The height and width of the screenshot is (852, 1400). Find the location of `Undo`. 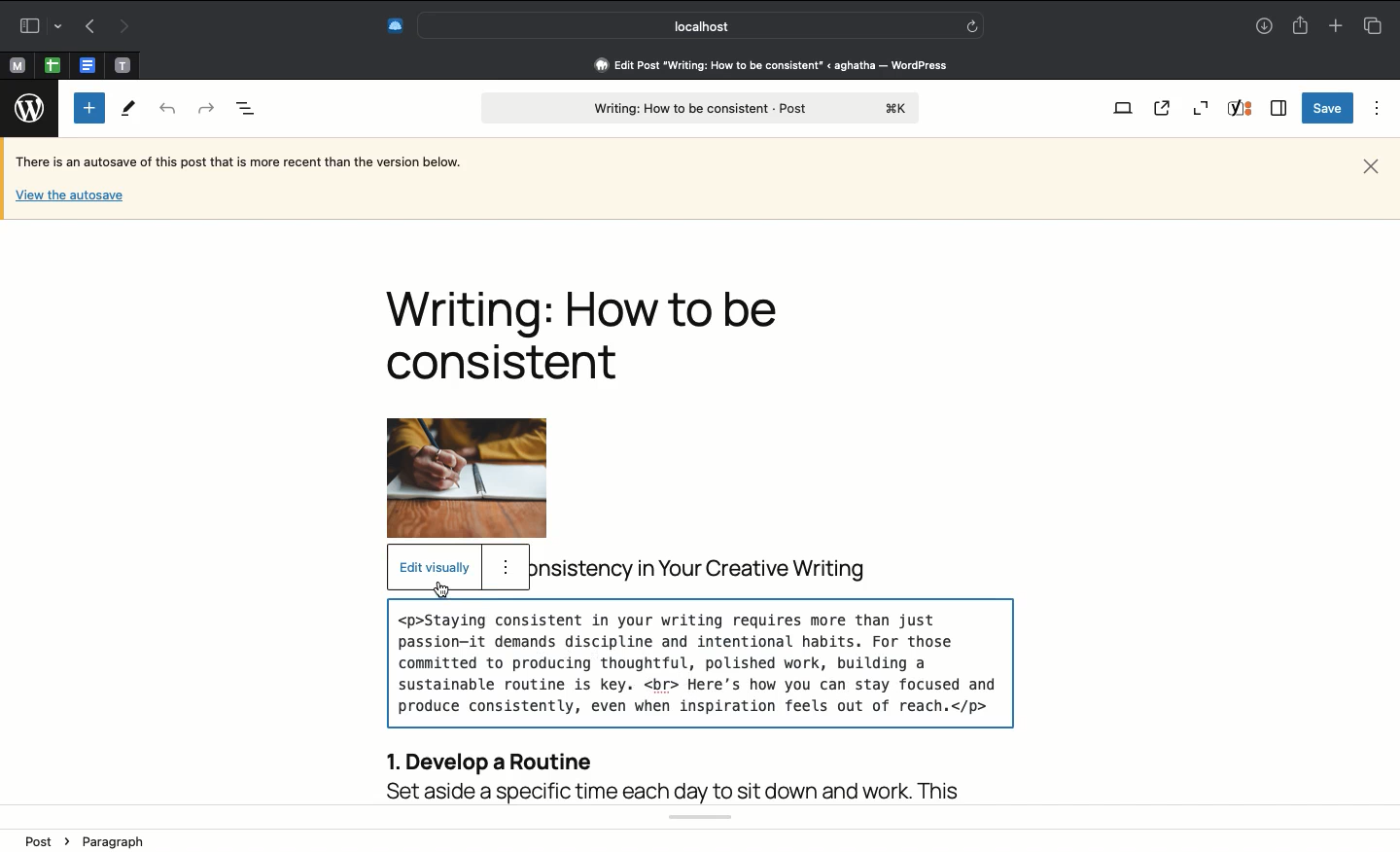

Undo is located at coordinates (168, 110).